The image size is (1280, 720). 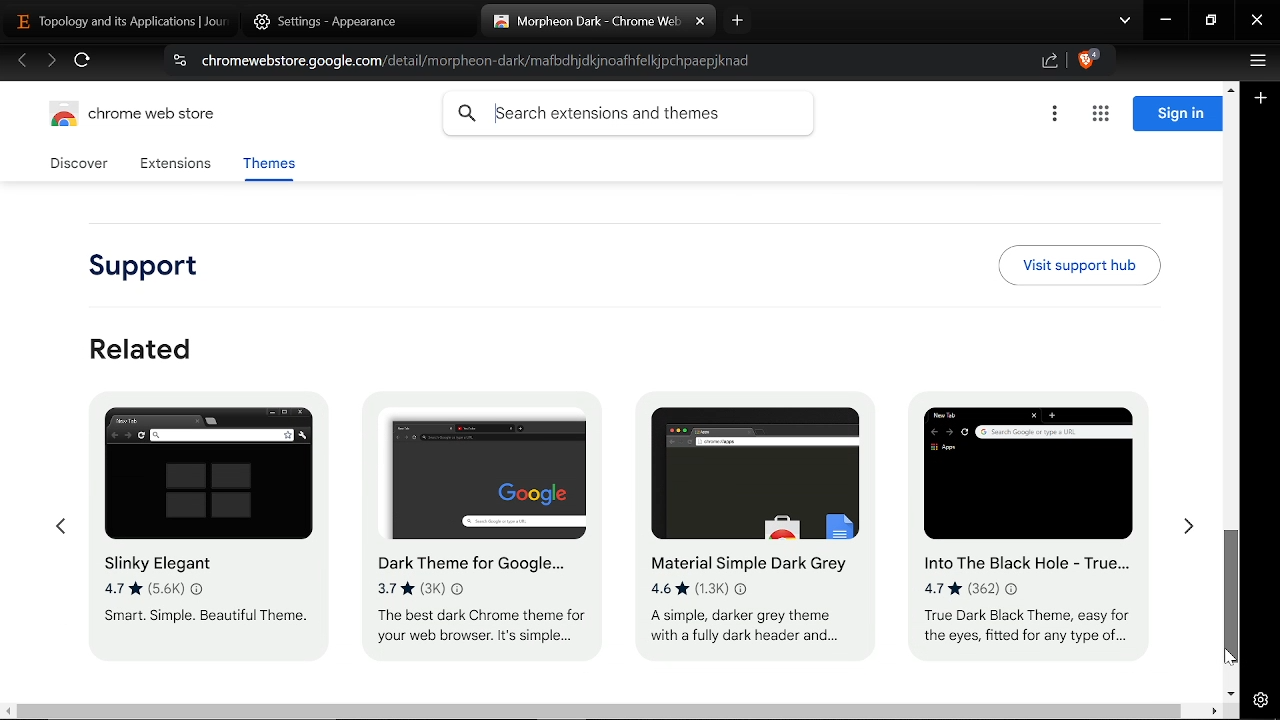 I want to click on Options, so click(x=1054, y=115).